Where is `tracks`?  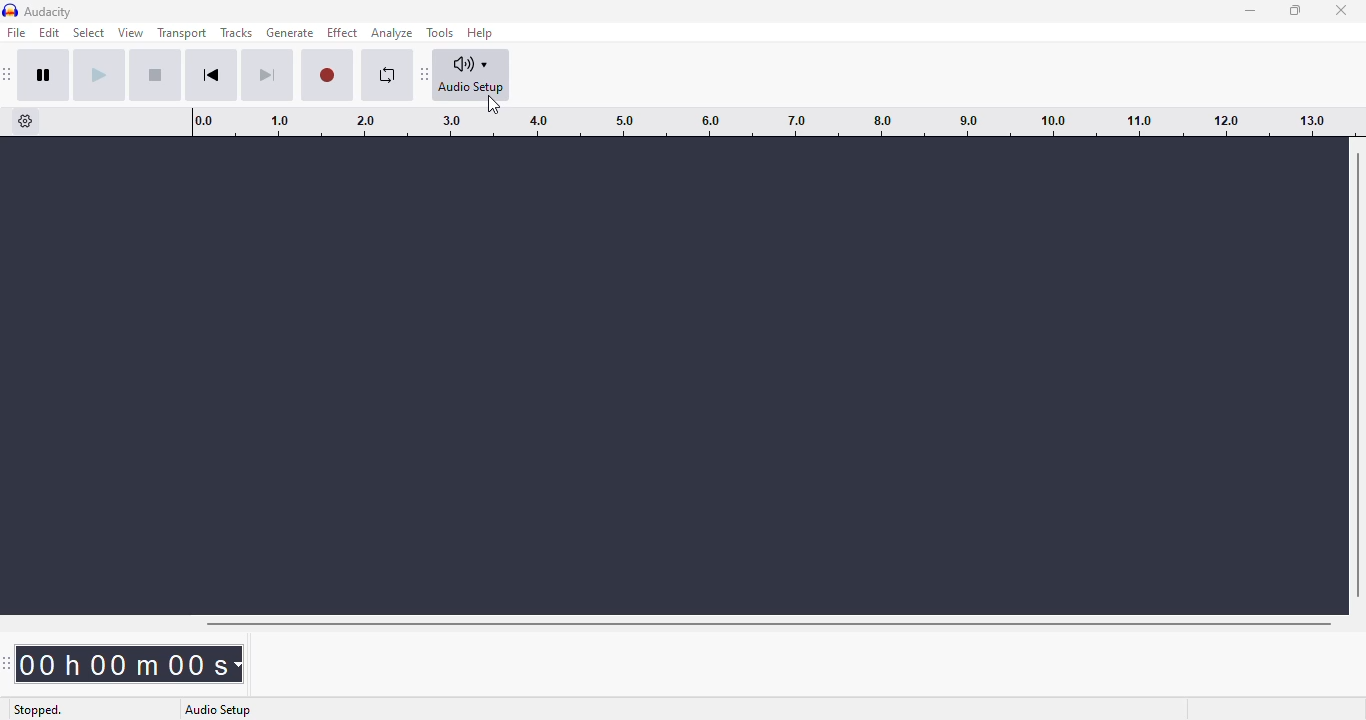
tracks is located at coordinates (236, 33).